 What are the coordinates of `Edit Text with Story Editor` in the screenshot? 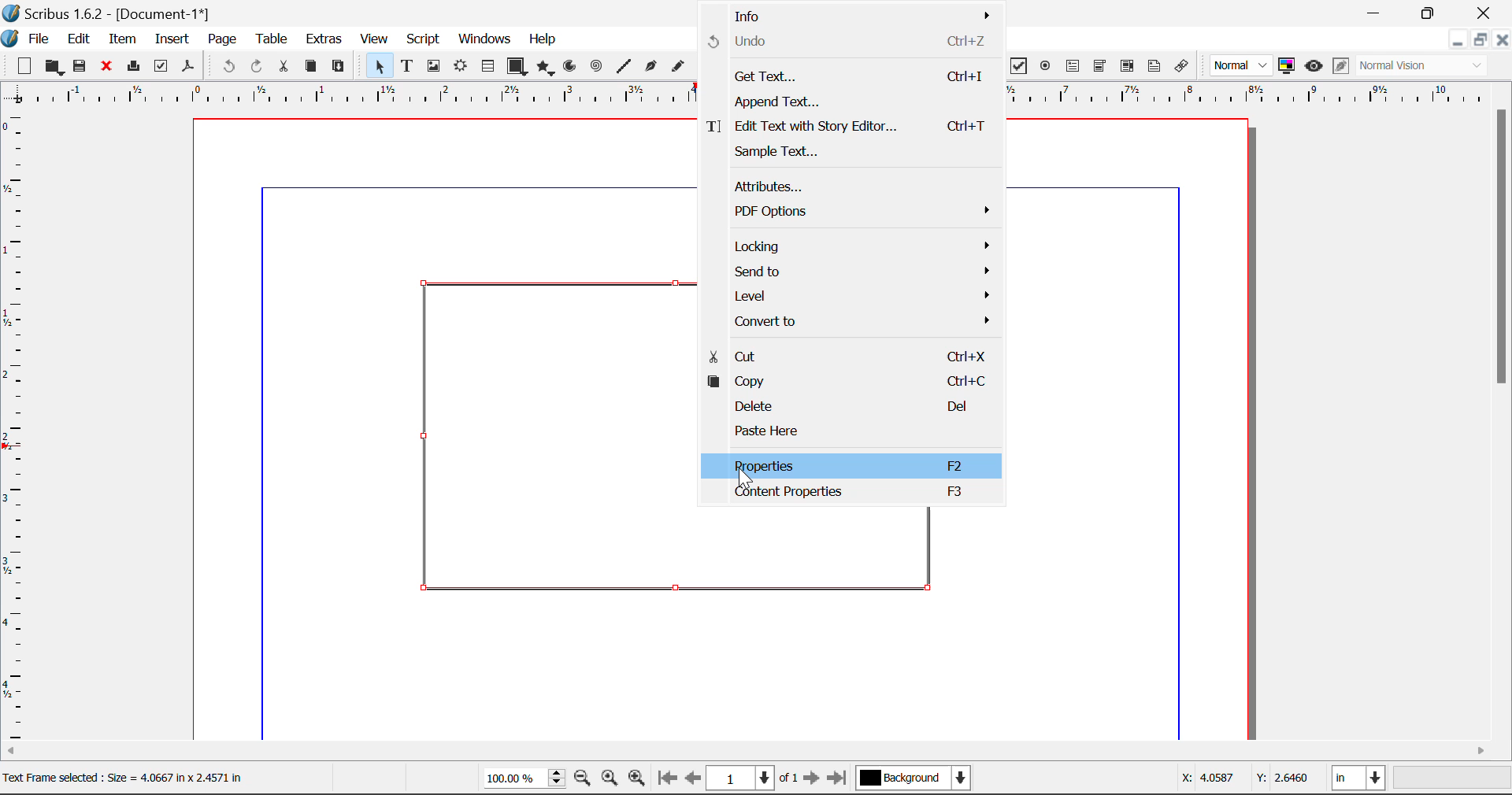 It's located at (849, 126).